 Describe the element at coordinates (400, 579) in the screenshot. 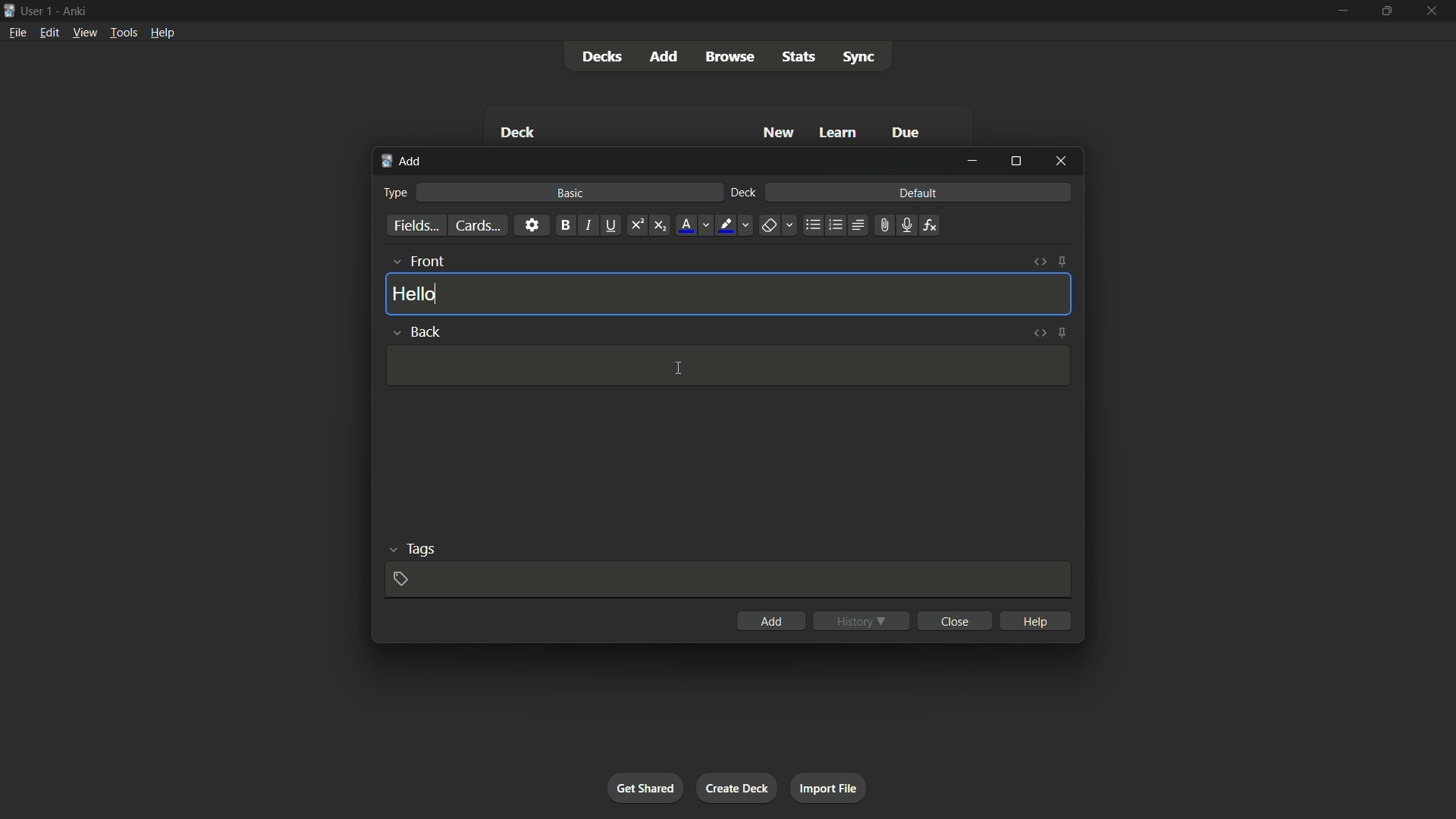

I see `add tag` at that location.